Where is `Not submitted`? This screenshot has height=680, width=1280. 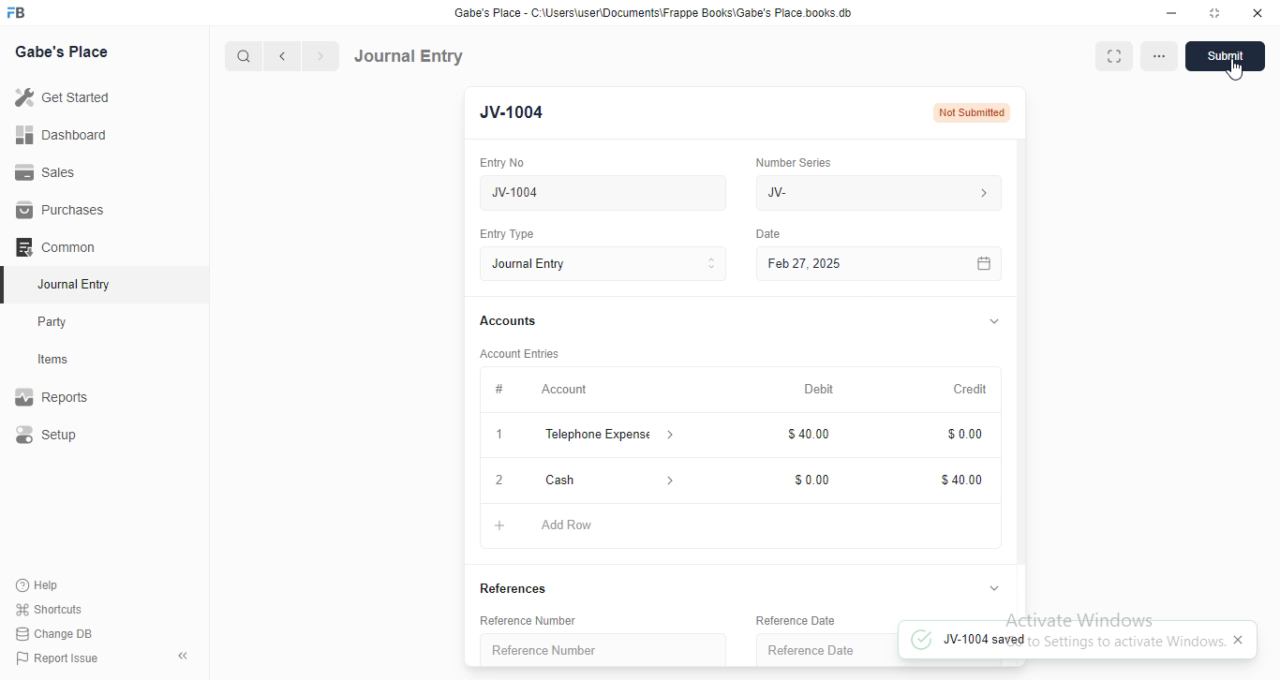 Not submitted is located at coordinates (971, 112).